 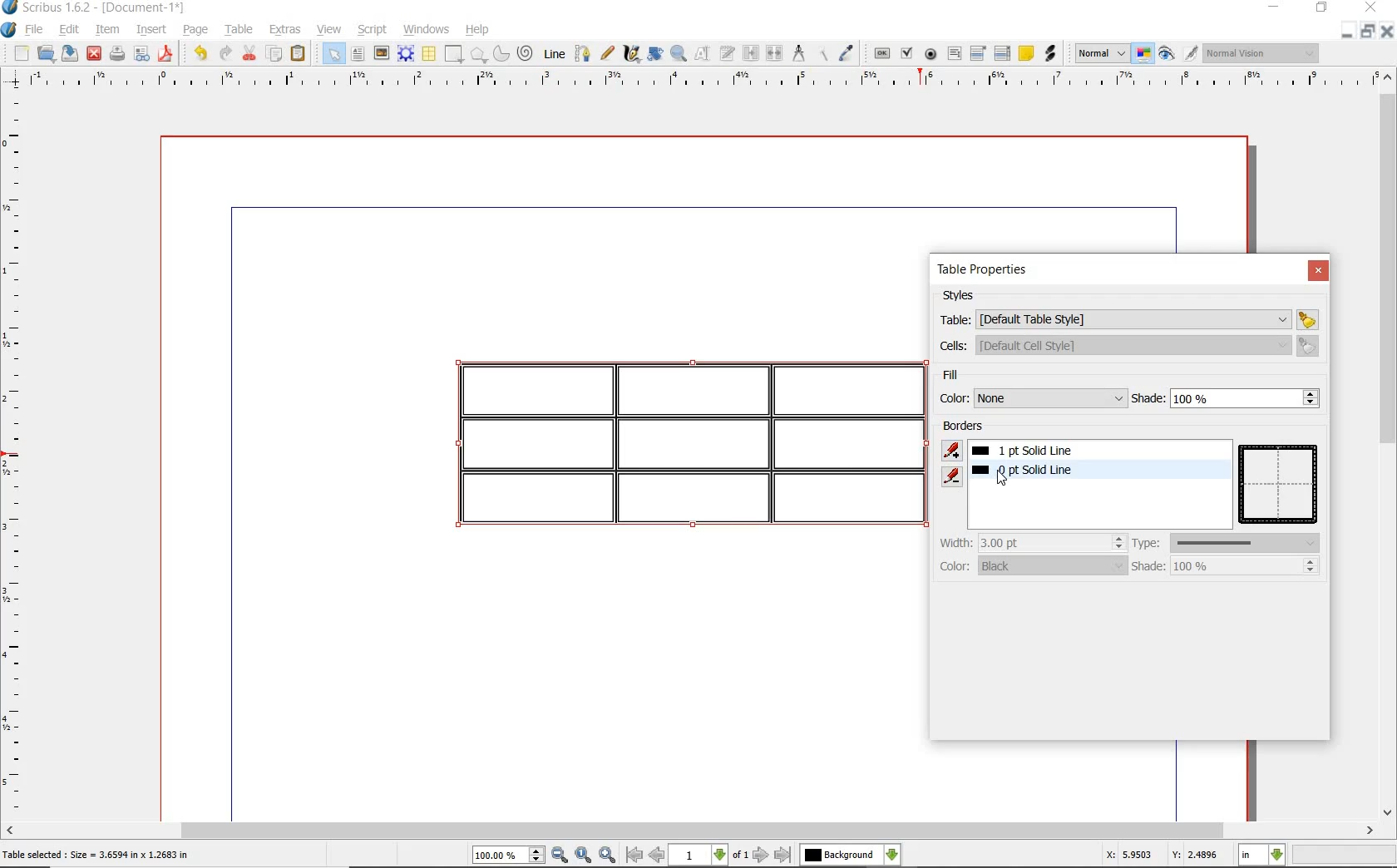 What do you see at coordinates (155, 28) in the screenshot?
I see `insert` at bounding box center [155, 28].